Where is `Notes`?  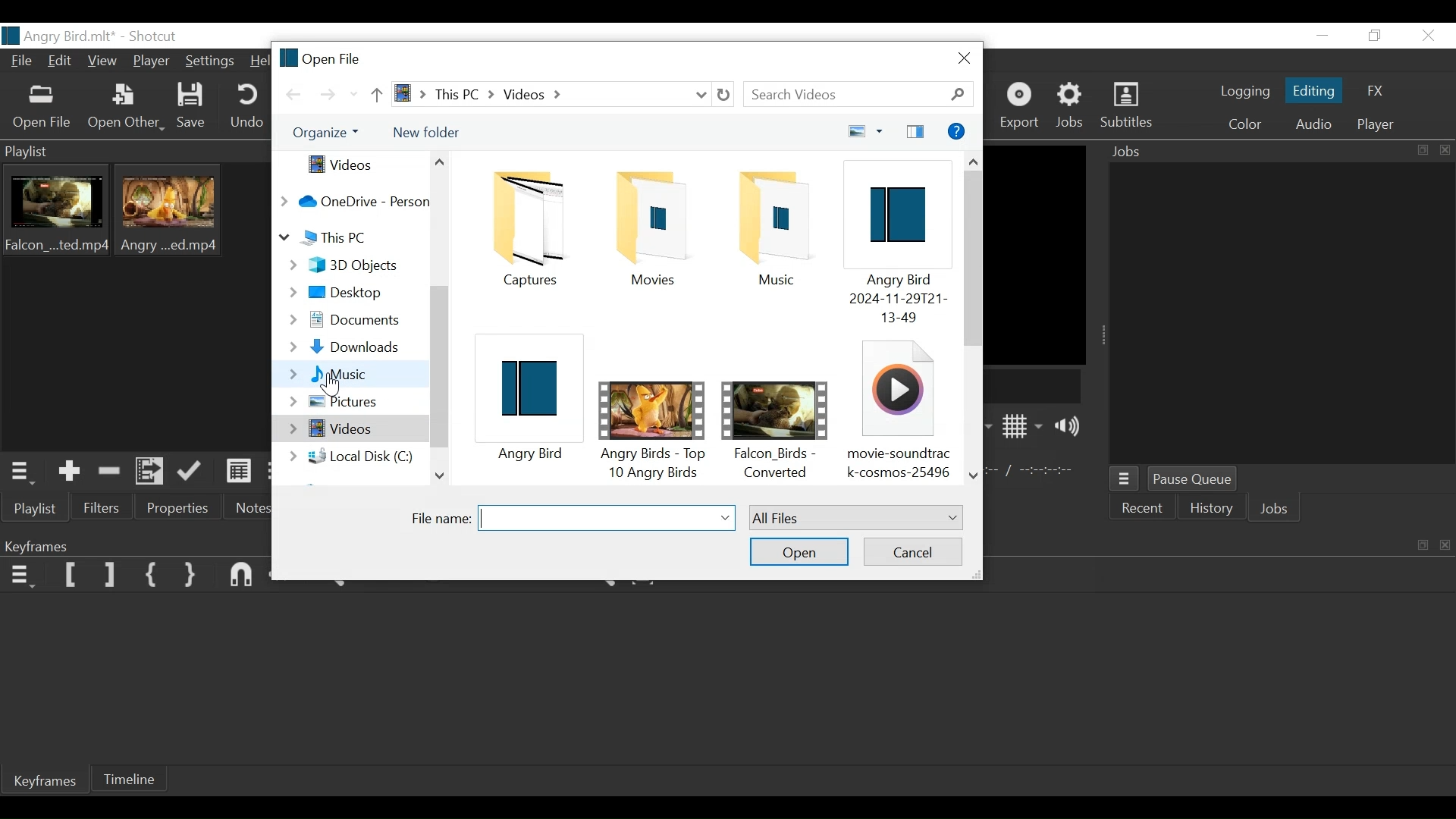
Notes is located at coordinates (244, 509).